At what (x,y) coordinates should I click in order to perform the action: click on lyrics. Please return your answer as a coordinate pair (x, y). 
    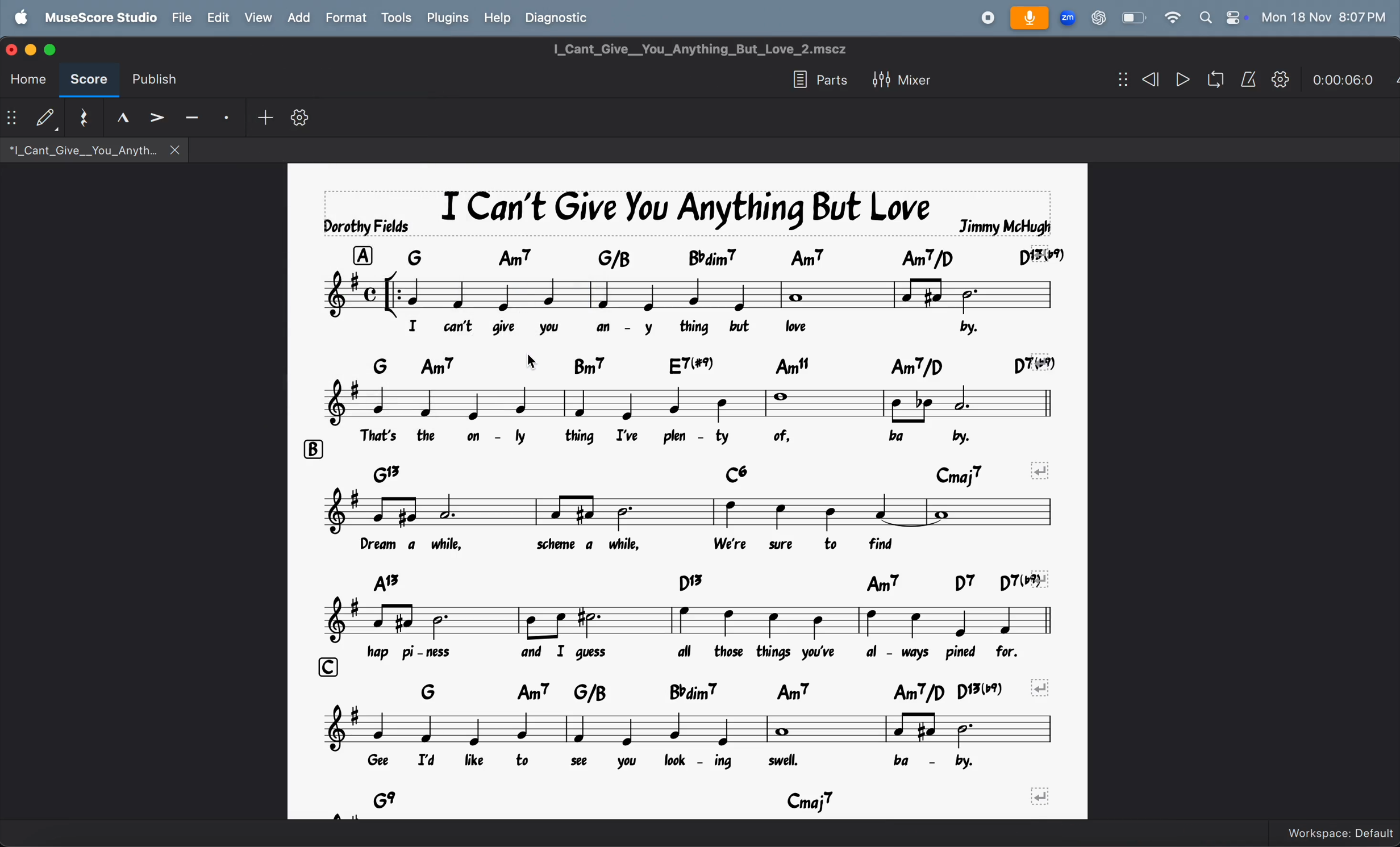
    Looking at the image, I should click on (697, 327).